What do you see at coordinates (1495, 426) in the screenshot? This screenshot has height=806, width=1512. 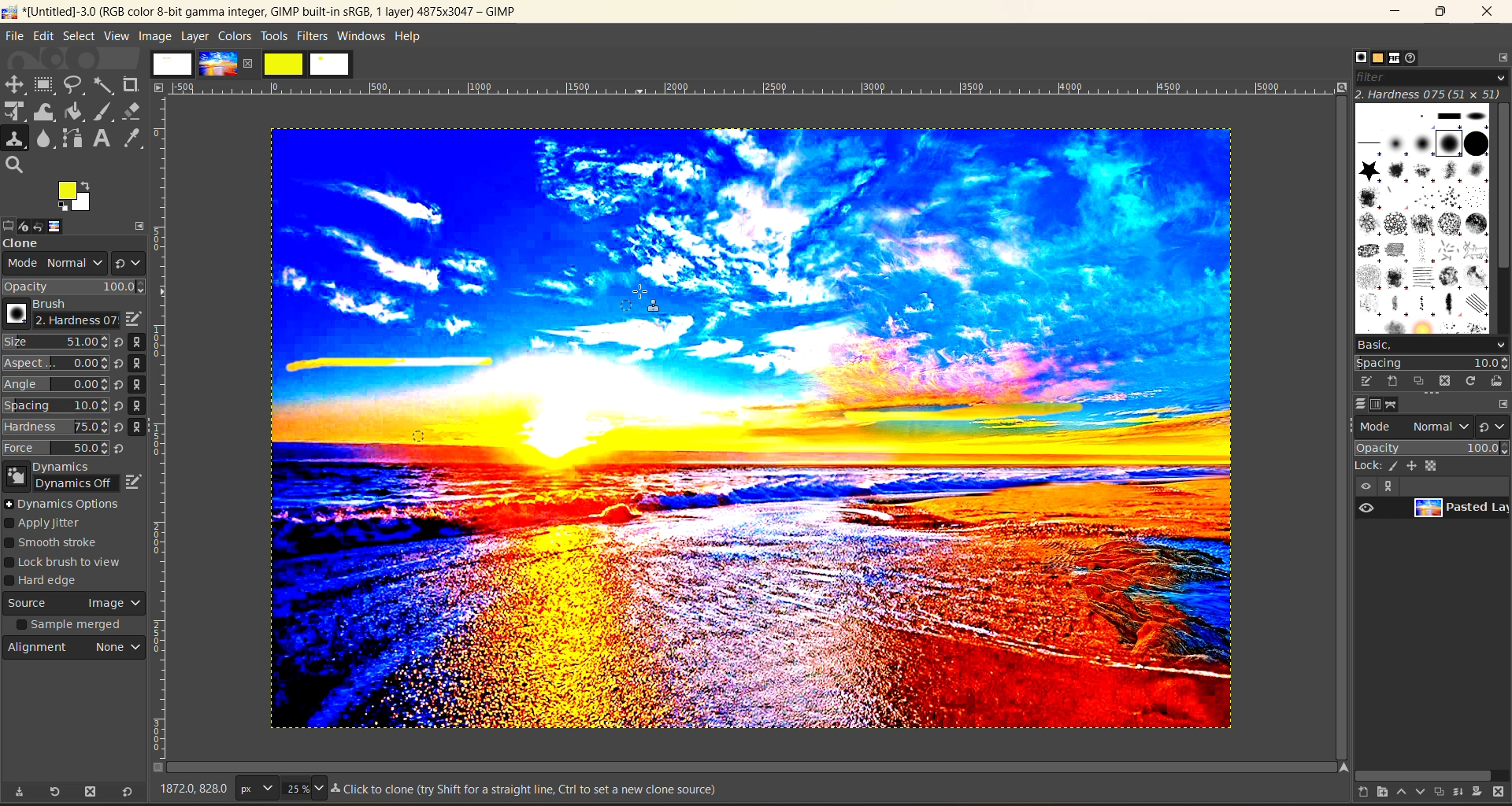 I see `switch to another group` at bounding box center [1495, 426].